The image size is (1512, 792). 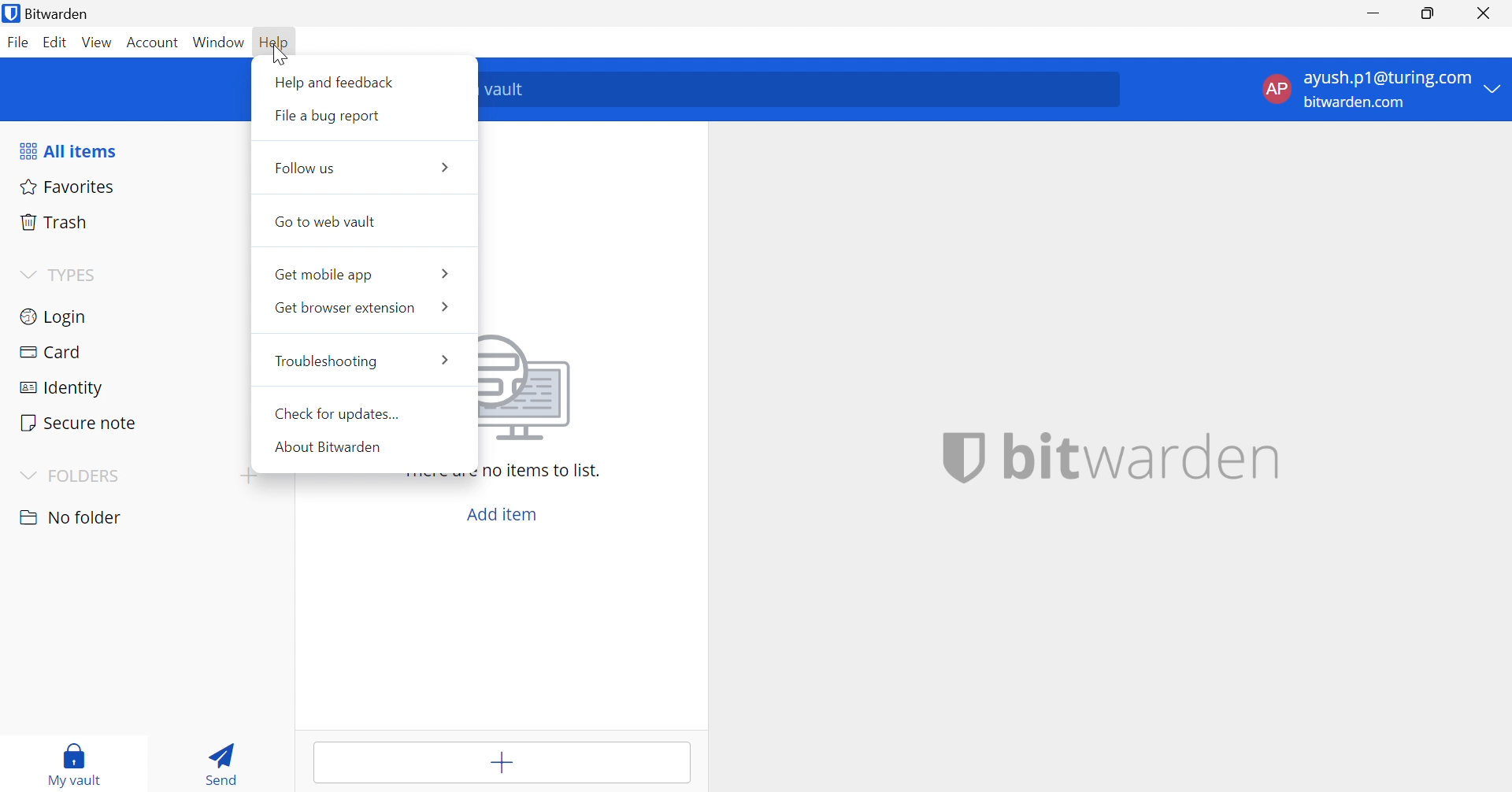 I want to click on Follow us, so click(x=363, y=168).